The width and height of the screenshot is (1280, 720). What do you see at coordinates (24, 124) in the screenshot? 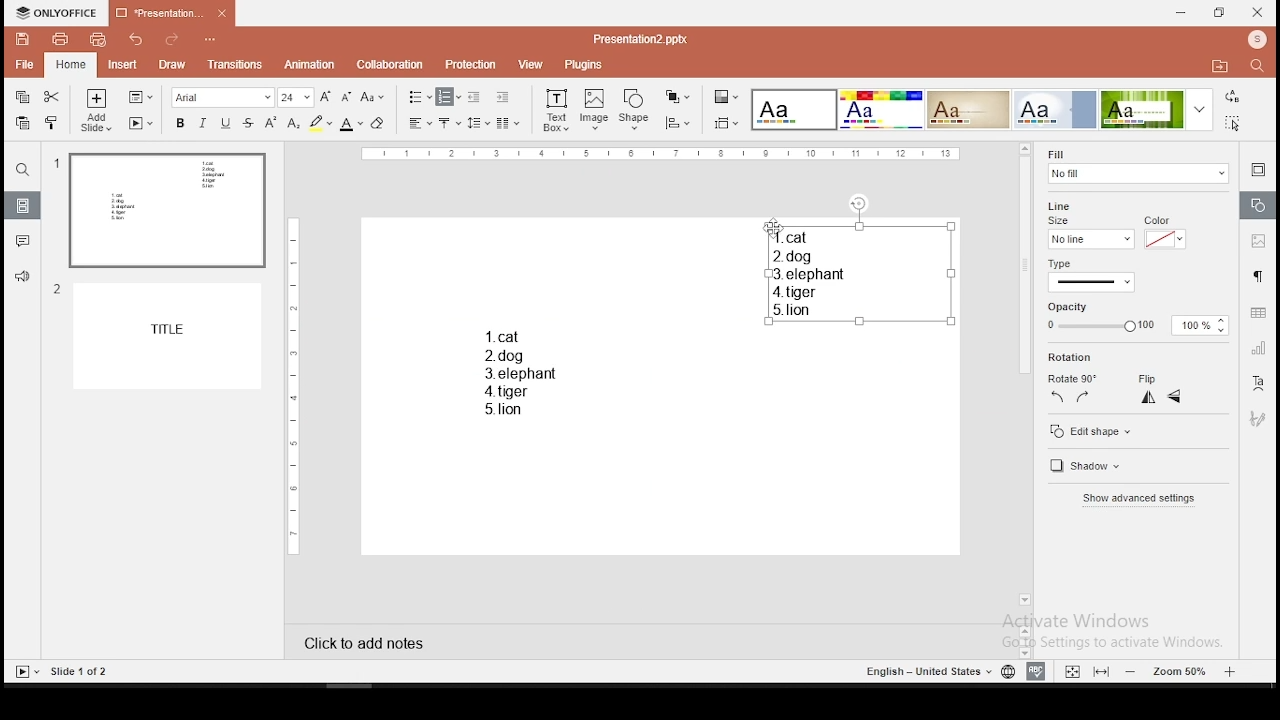
I see `paste` at bounding box center [24, 124].